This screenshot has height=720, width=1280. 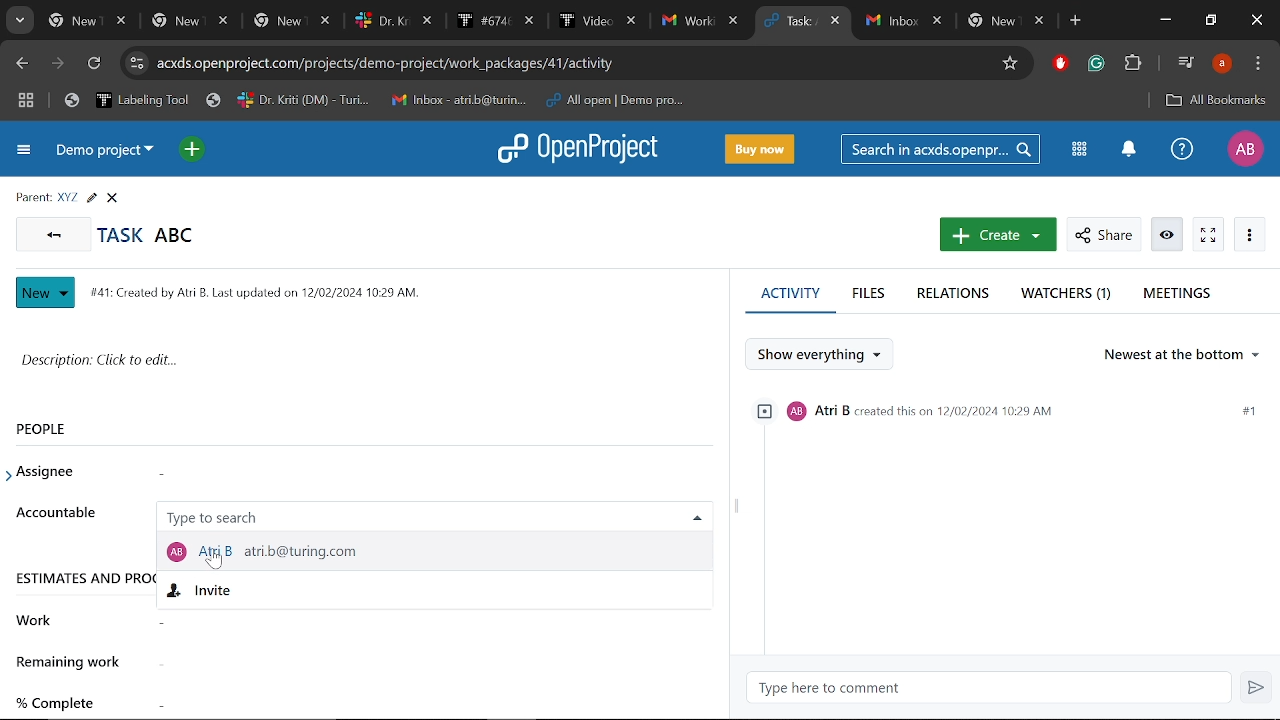 What do you see at coordinates (1074, 22) in the screenshot?
I see `Add new tab` at bounding box center [1074, 22].